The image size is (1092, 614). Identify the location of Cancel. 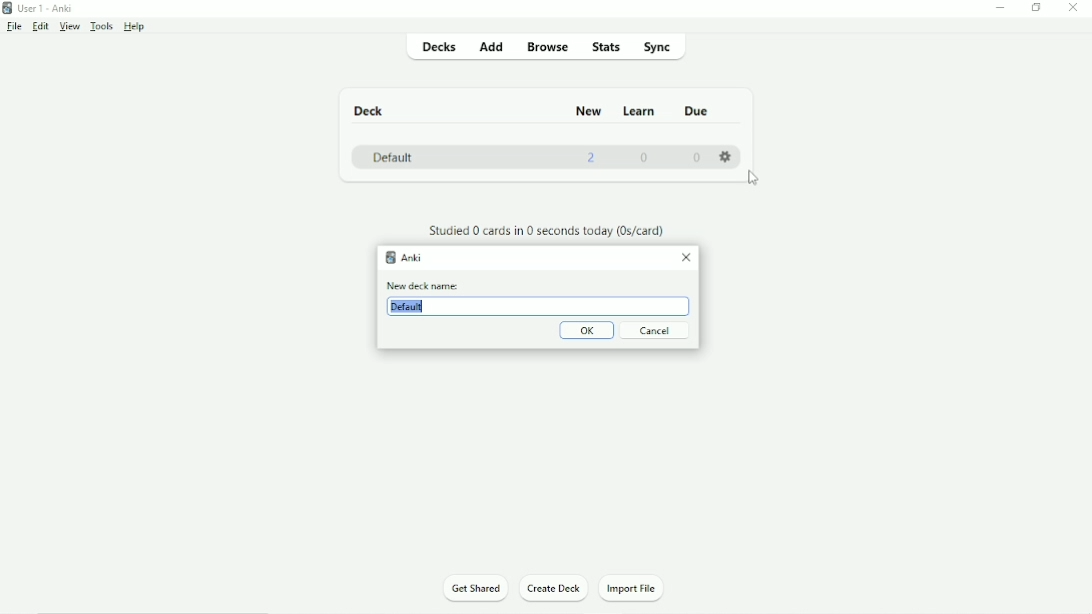
(658, 330).